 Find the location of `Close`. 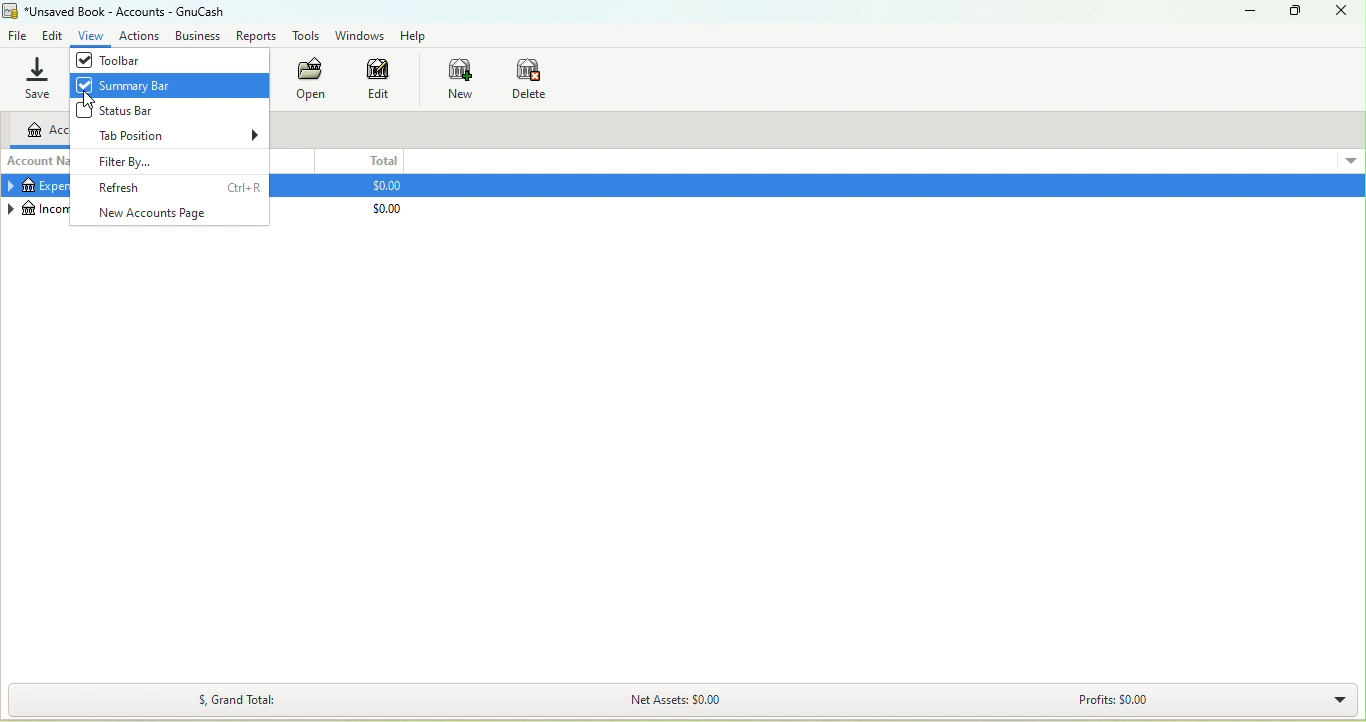

Close is located at coordinates (1343, 13).